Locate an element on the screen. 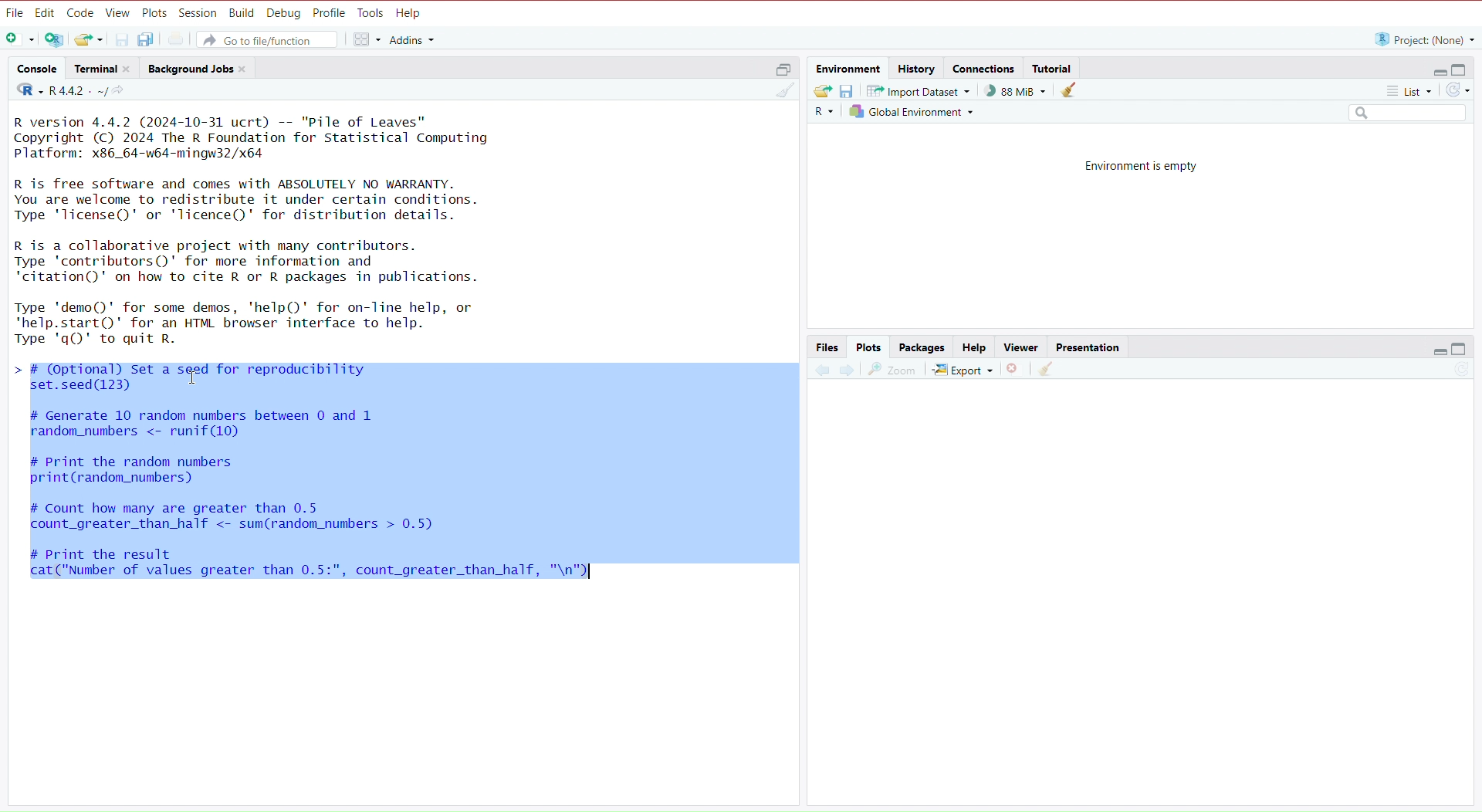 This screenshot has height=812, width=1482. ) 88 MiB ~ is located at coordinates (1010, 91).